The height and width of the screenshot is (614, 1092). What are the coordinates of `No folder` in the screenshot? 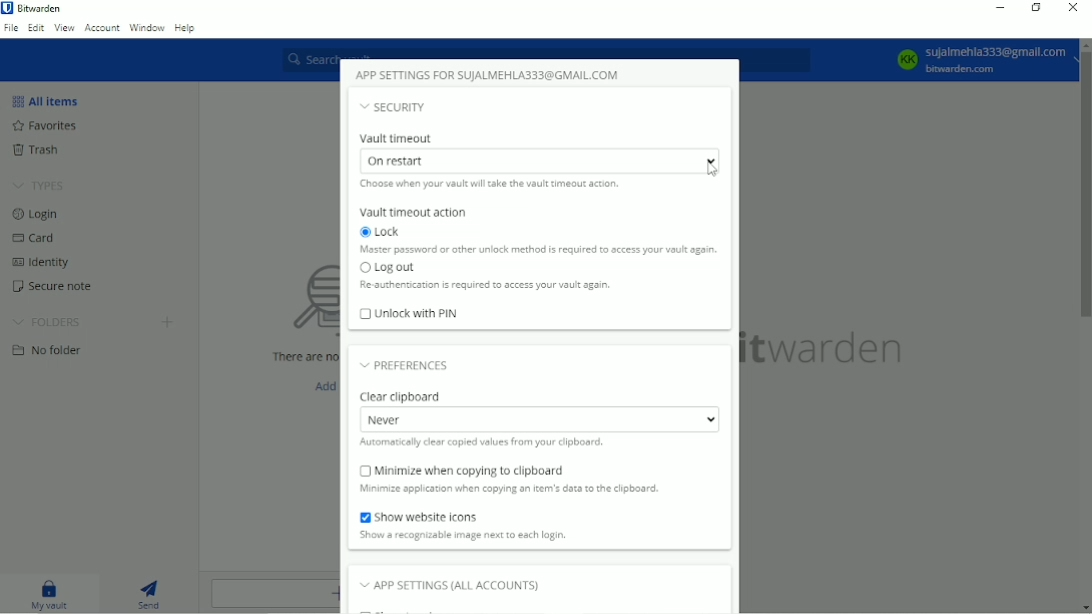 It's located at (49, 349).